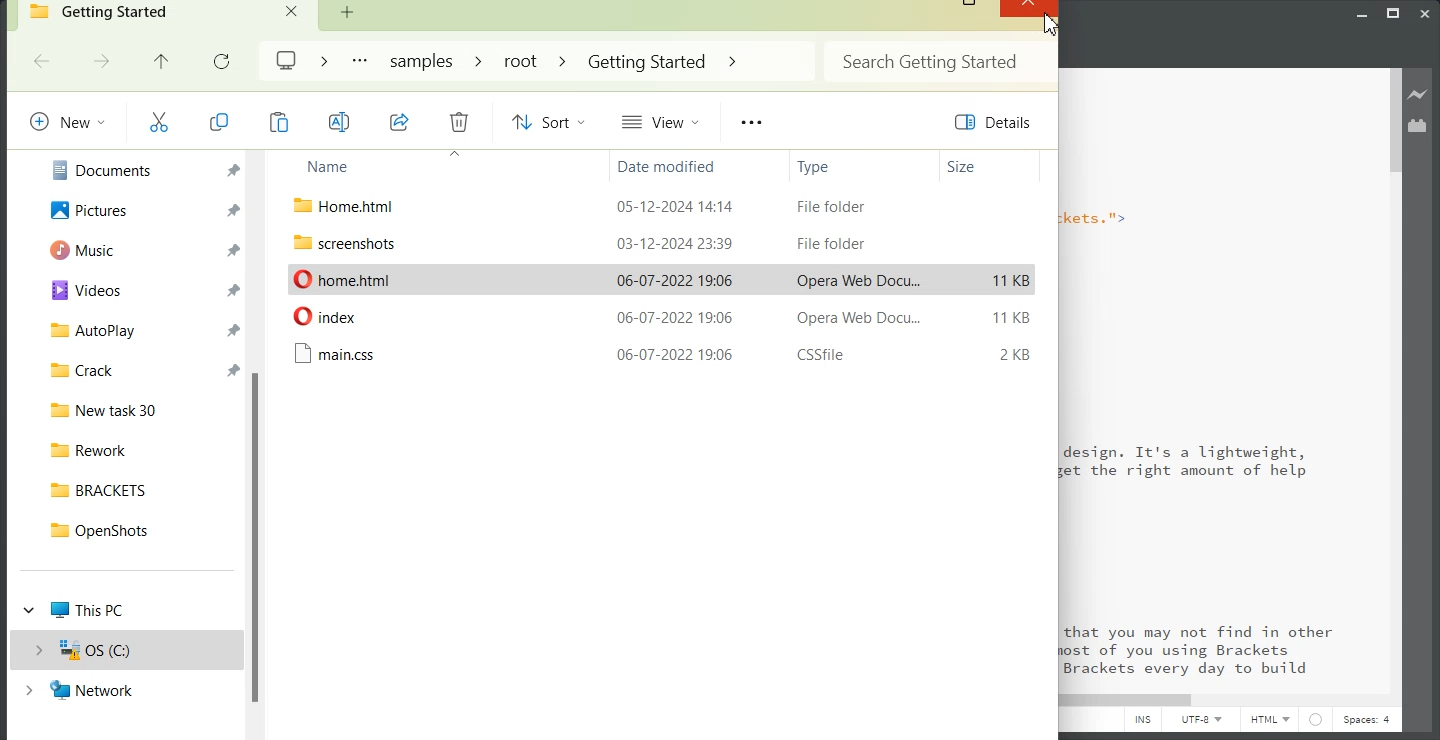  Describe the element at coordinates (370, 280) in the screenshot. I see `File` at that location.